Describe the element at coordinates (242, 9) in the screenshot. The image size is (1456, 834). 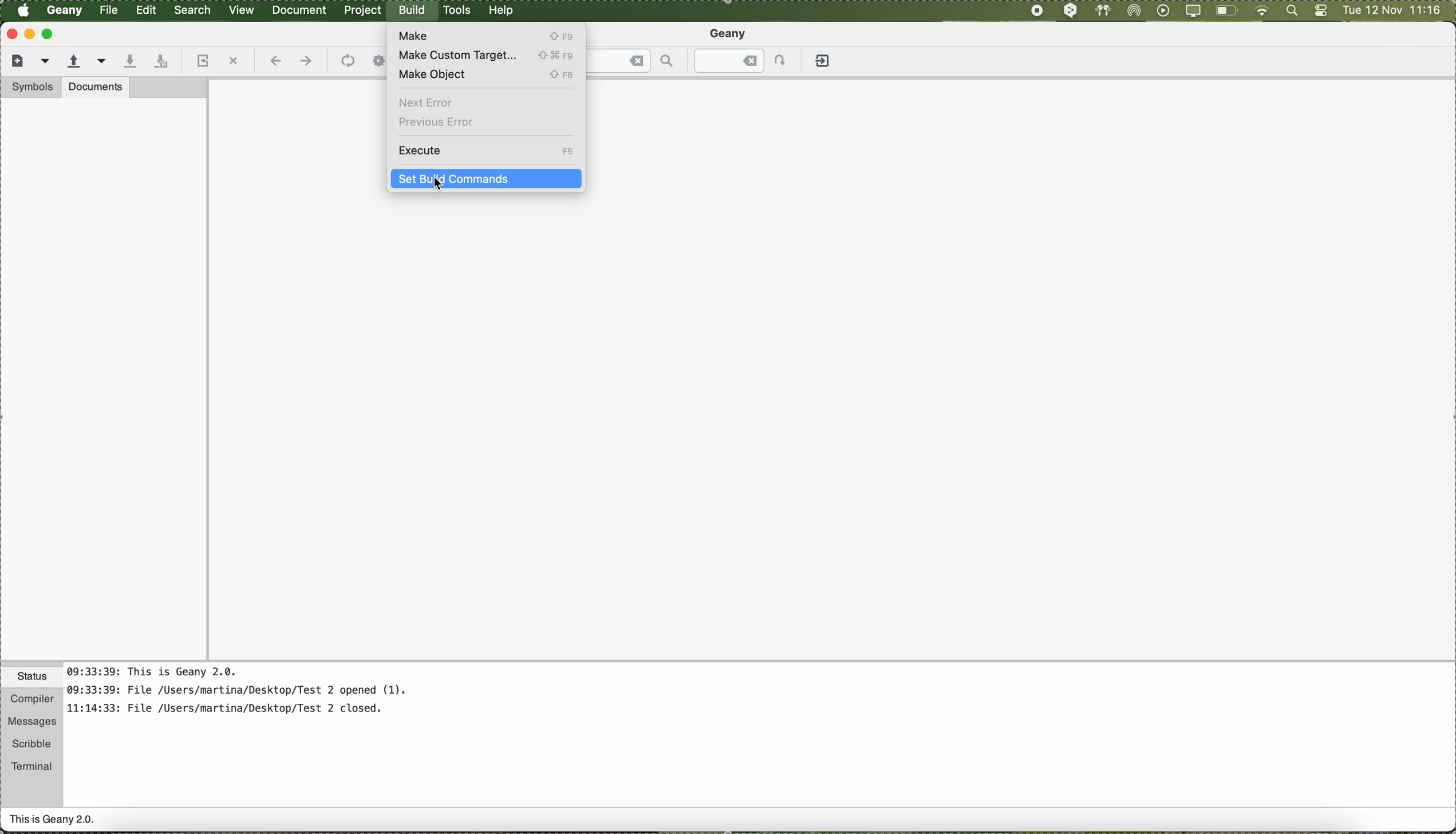
I see `view` at that location.